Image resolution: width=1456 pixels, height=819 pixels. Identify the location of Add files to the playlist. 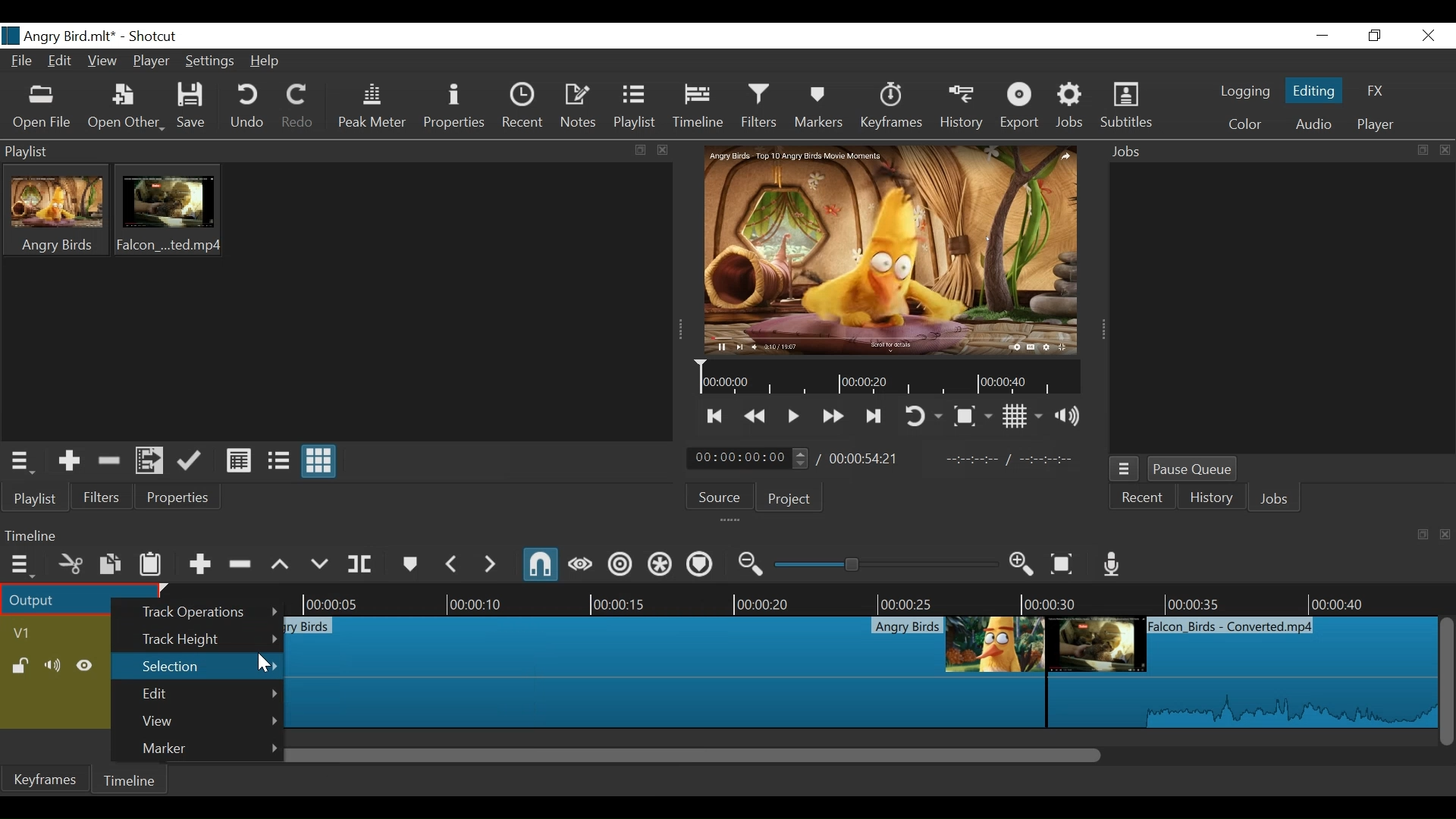
(149, 462).